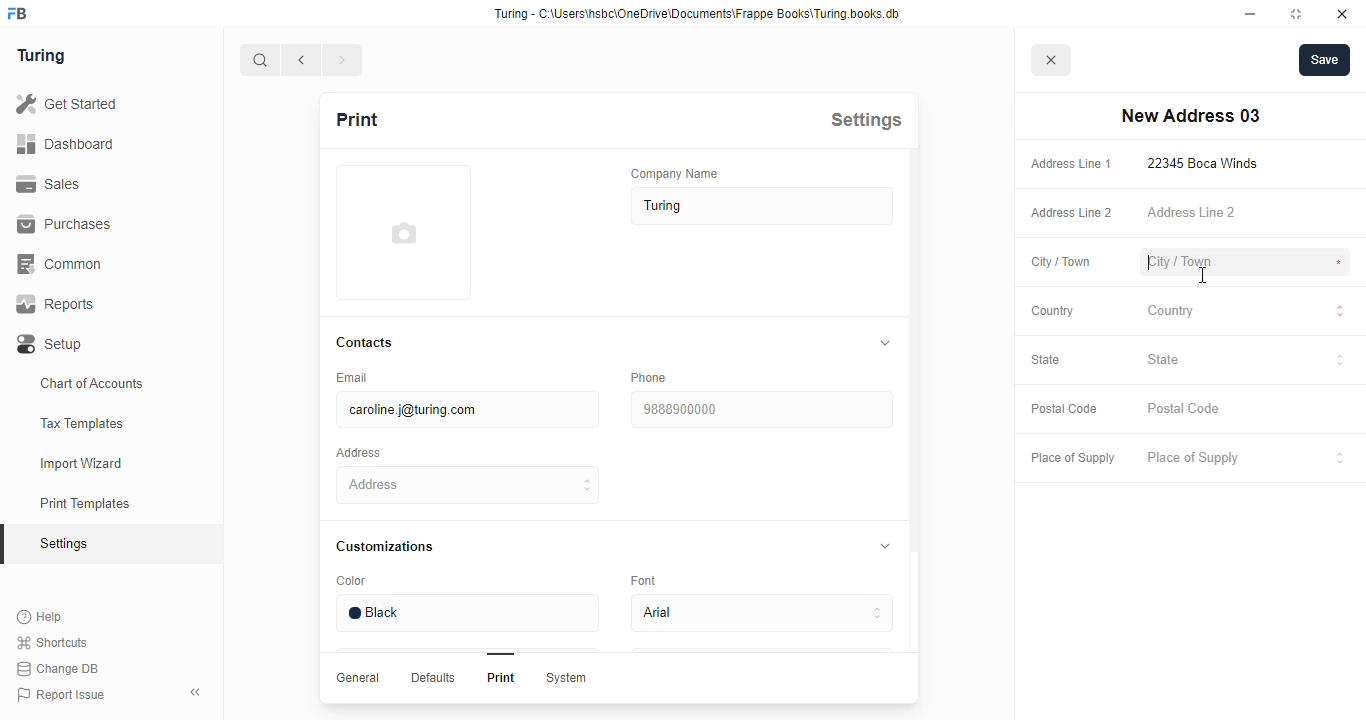 This screenshot has width=1366, height=720. What do you see at coordinates (57, 669) in the screenshot?
I see `change DB` at bounding box center [57, 669].